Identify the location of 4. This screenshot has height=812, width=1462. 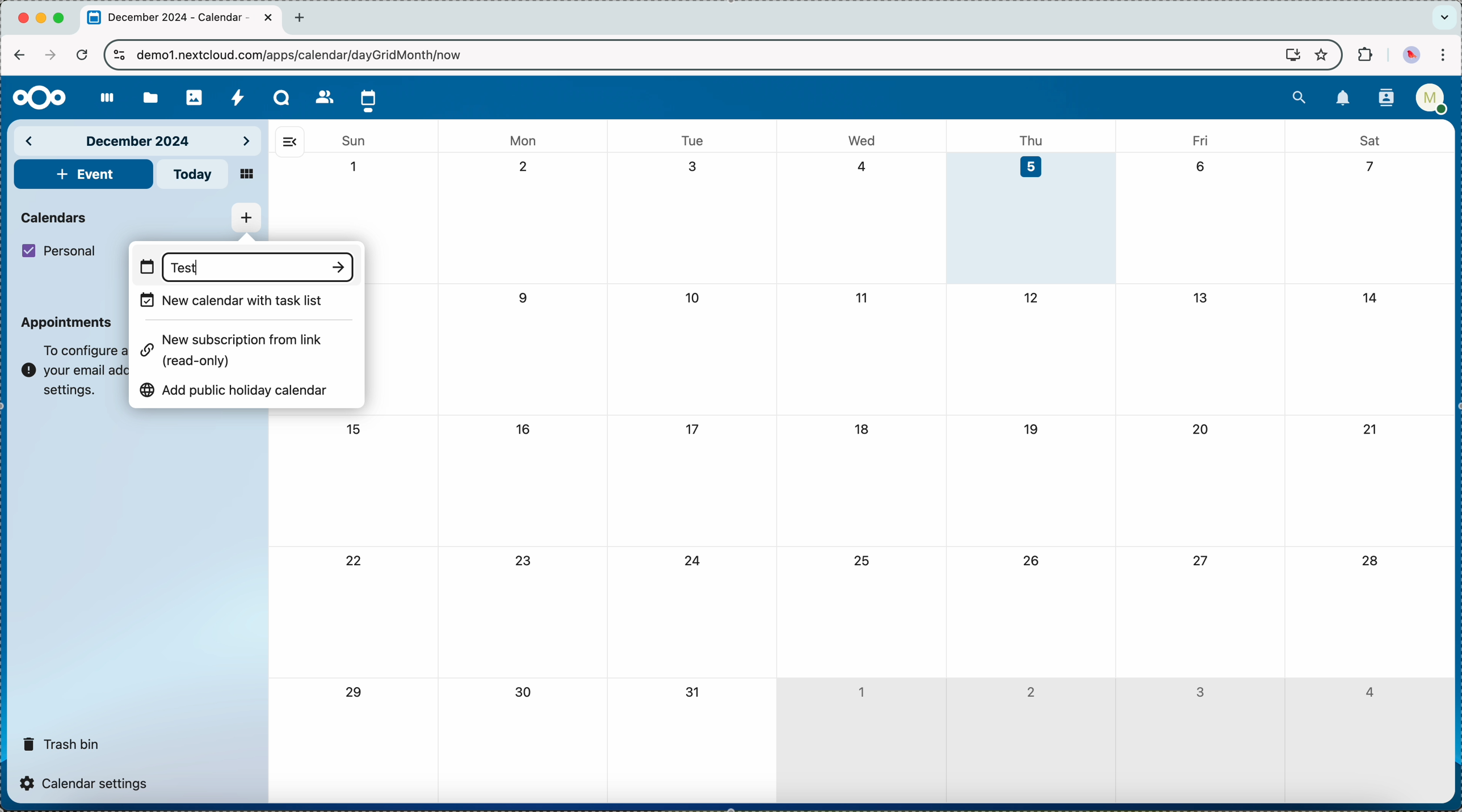
(863, 166).